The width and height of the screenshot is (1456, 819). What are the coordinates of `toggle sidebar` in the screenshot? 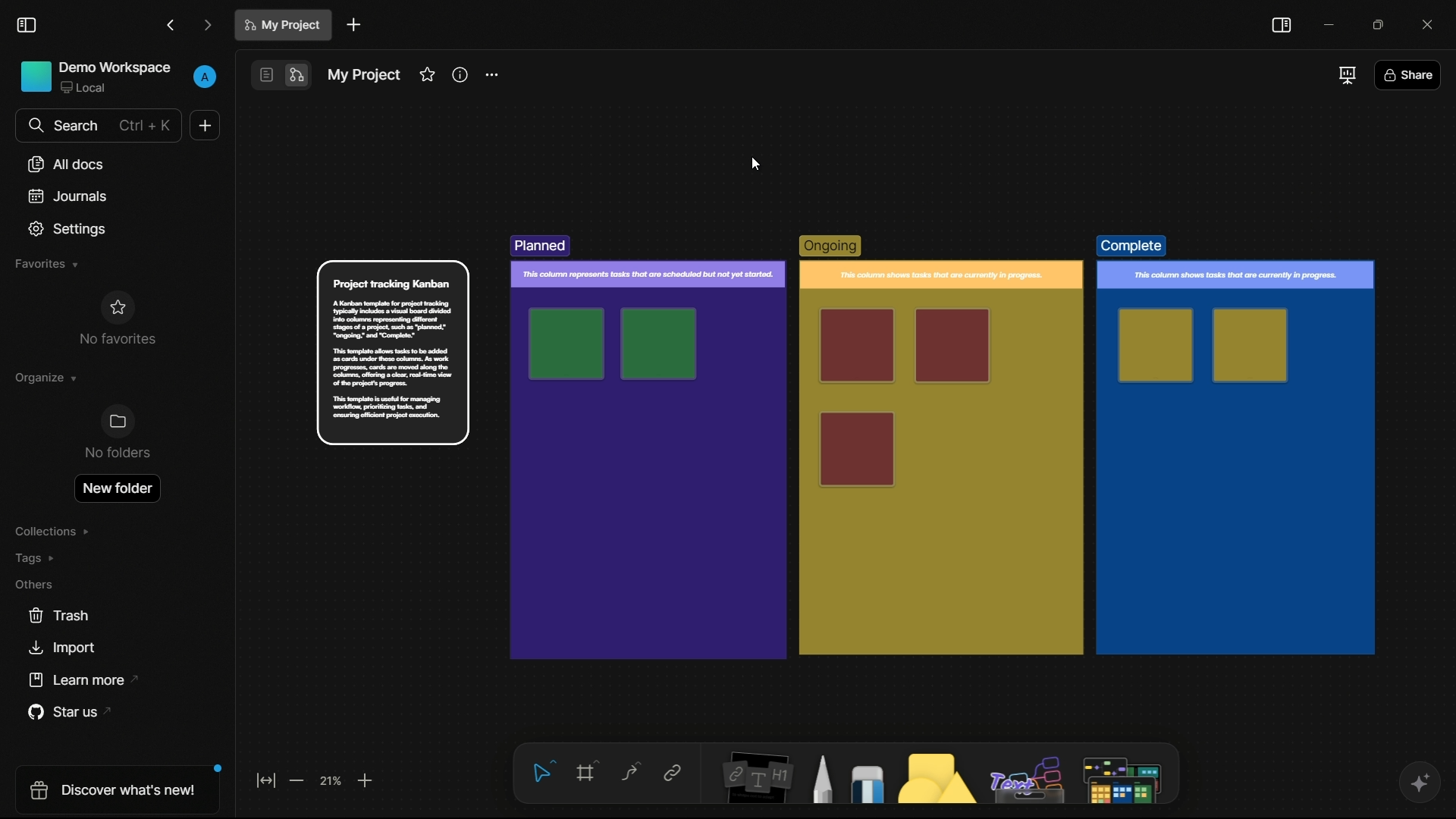 It's located at (27, 26).